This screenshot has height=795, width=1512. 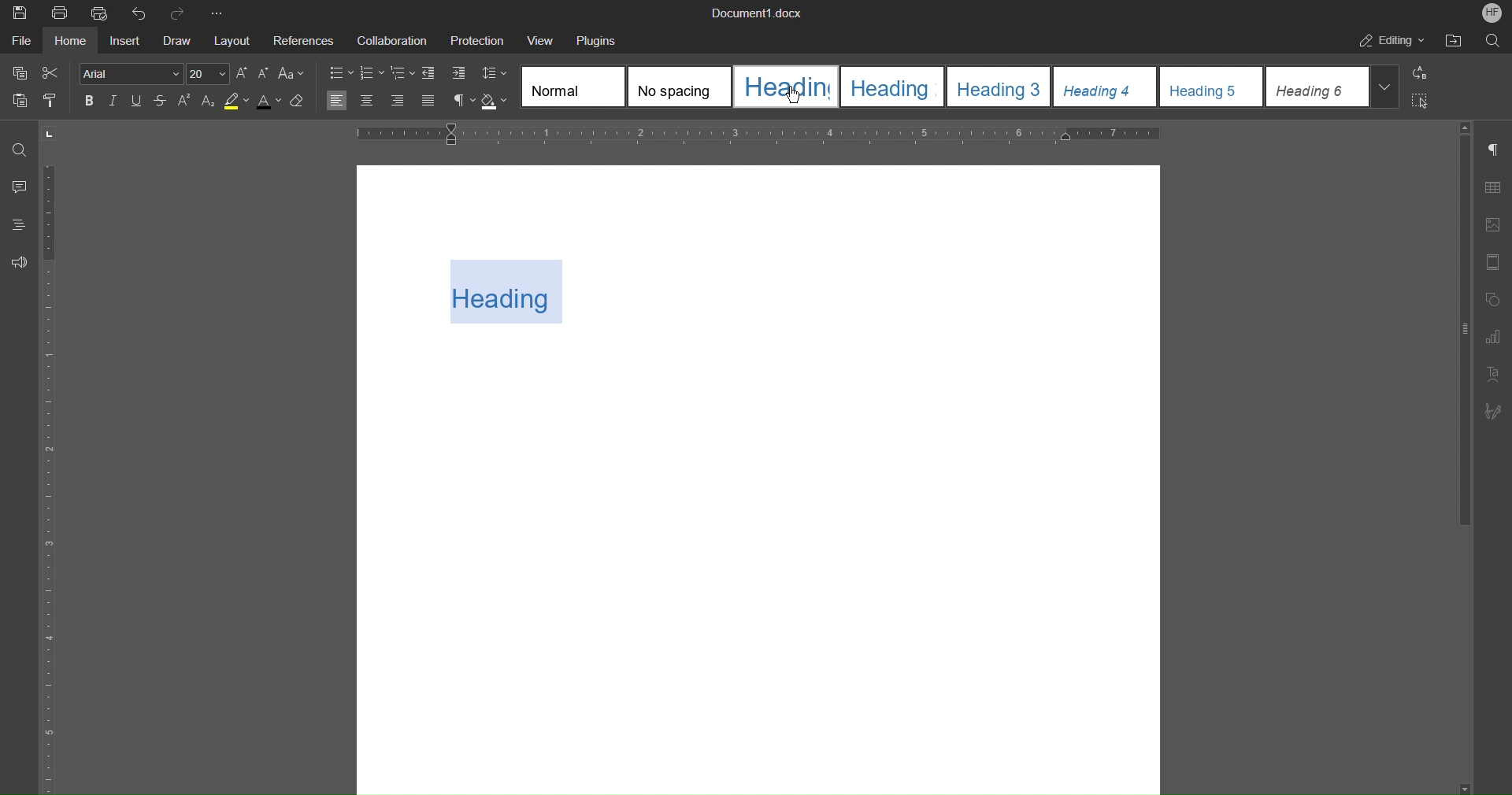 I want to click on Paste, so click(x=18, y=97).